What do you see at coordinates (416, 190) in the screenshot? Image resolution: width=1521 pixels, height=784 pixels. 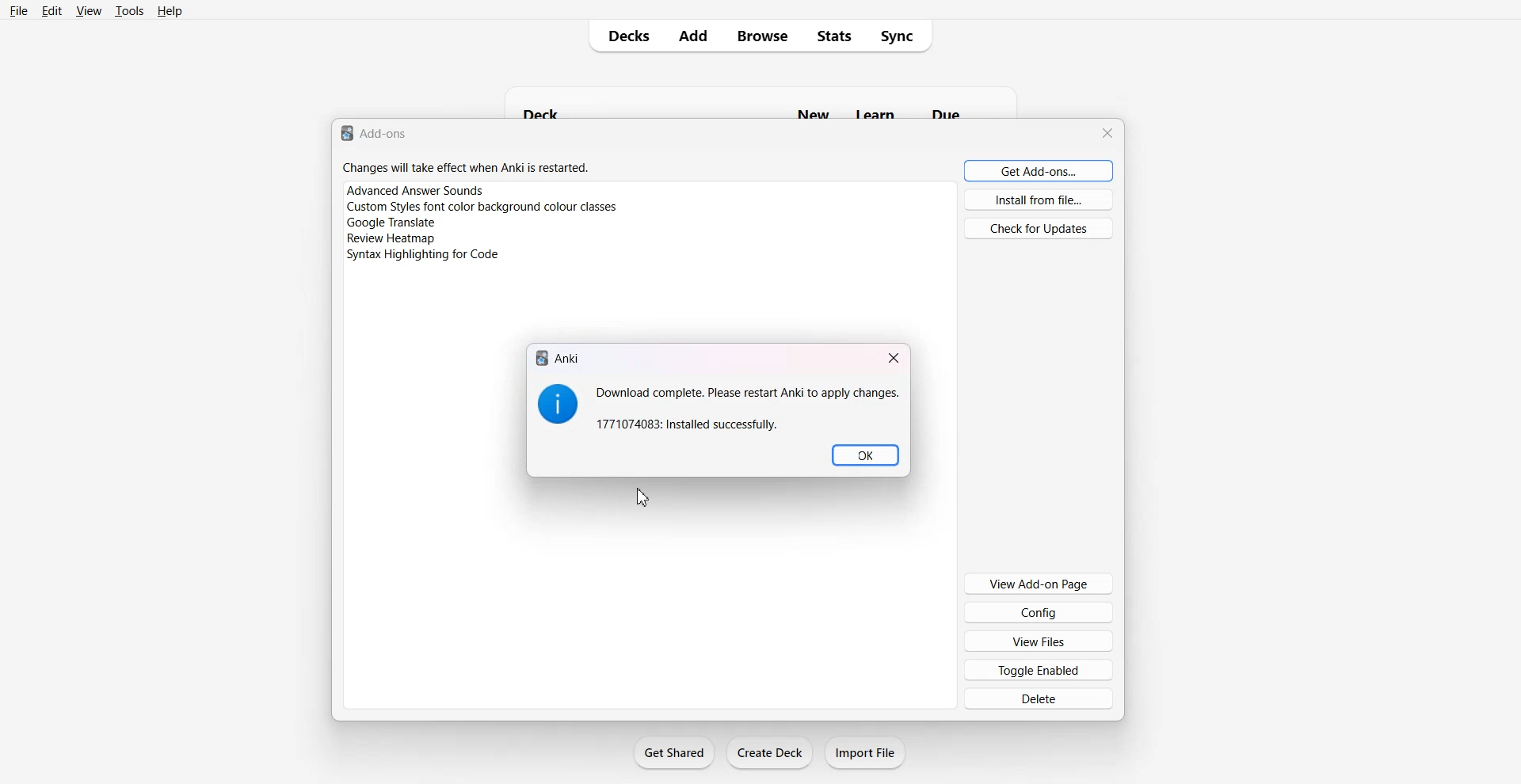 I see `advanced answer sounds` at bounding box center [416, 190].